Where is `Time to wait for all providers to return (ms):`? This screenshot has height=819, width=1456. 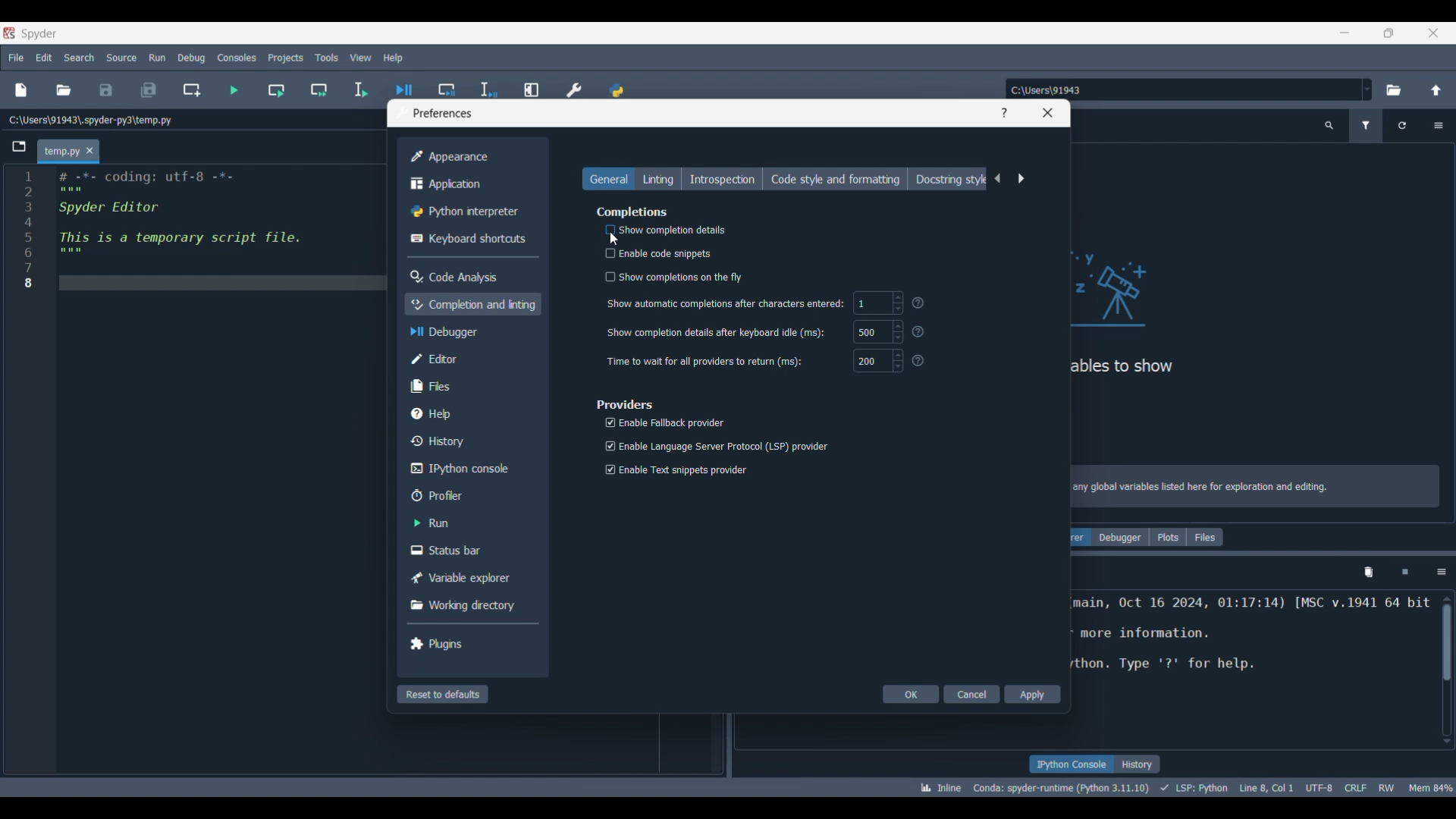 Time to wait for all providers to return (ms): is located at coordinates (705, 361).